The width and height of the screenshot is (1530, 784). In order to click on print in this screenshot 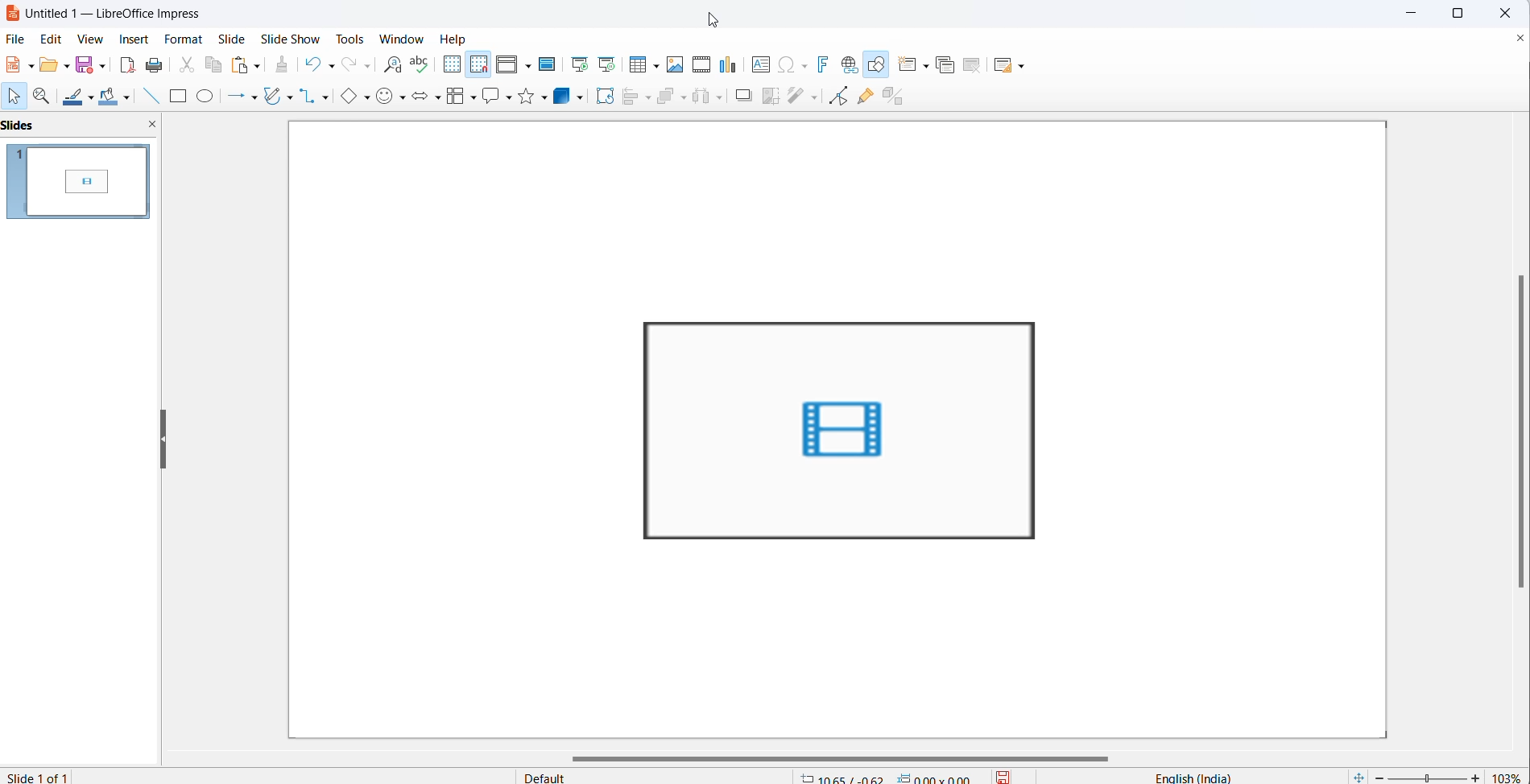, I will do `click(152, 65)`.